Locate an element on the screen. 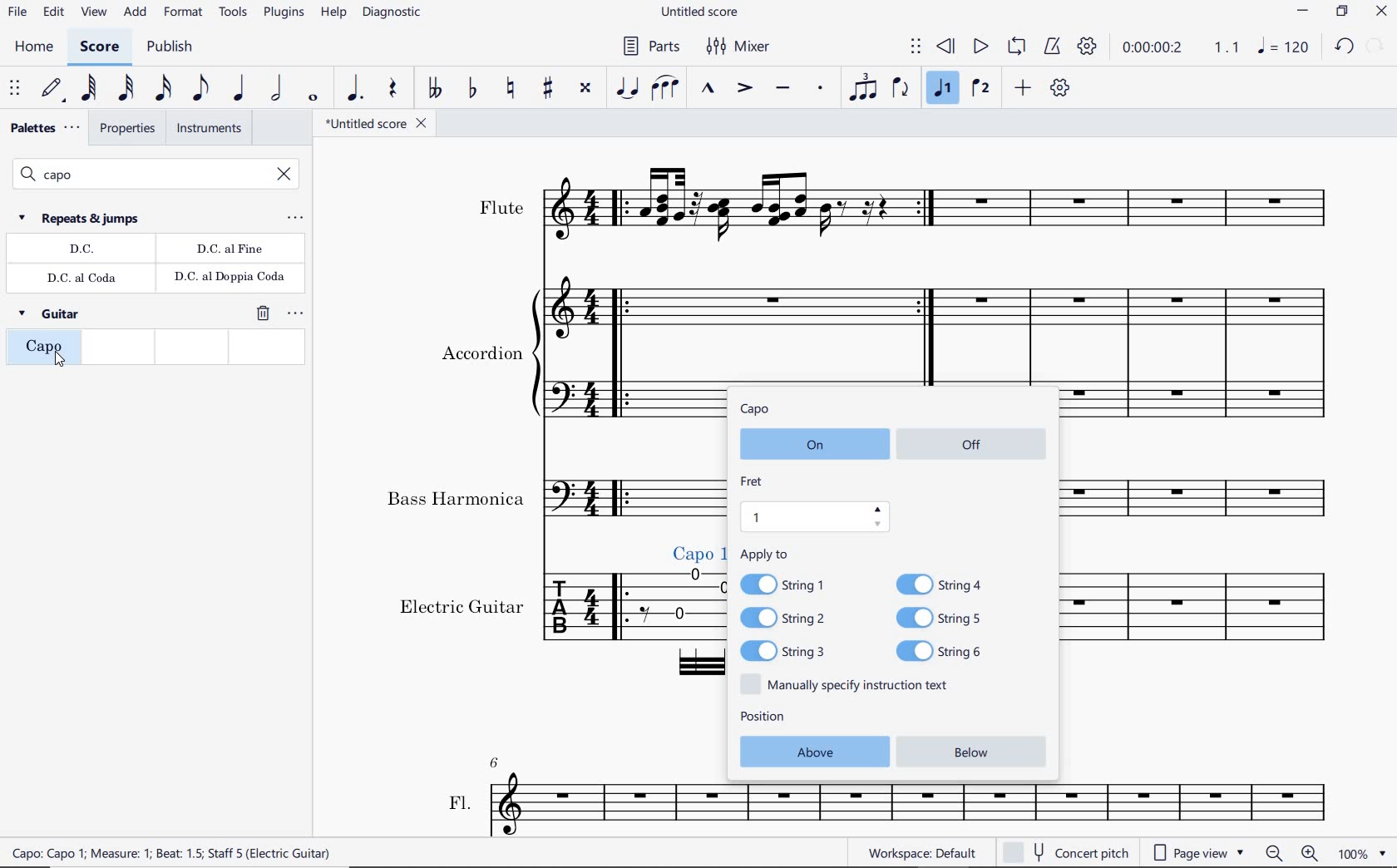  select to move is located at coordinates (16, 89).